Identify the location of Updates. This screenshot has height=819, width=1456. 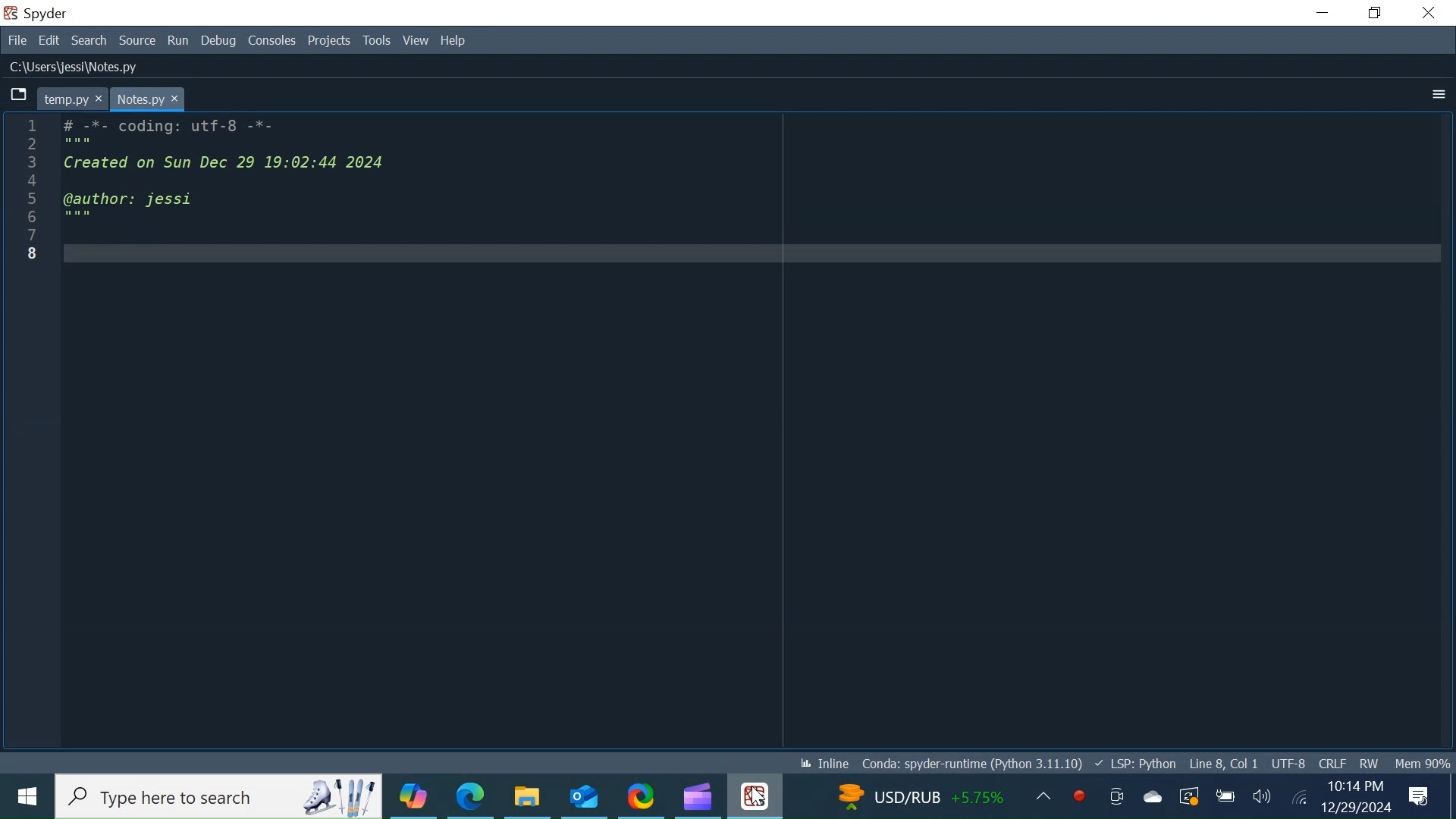
(943, 794).